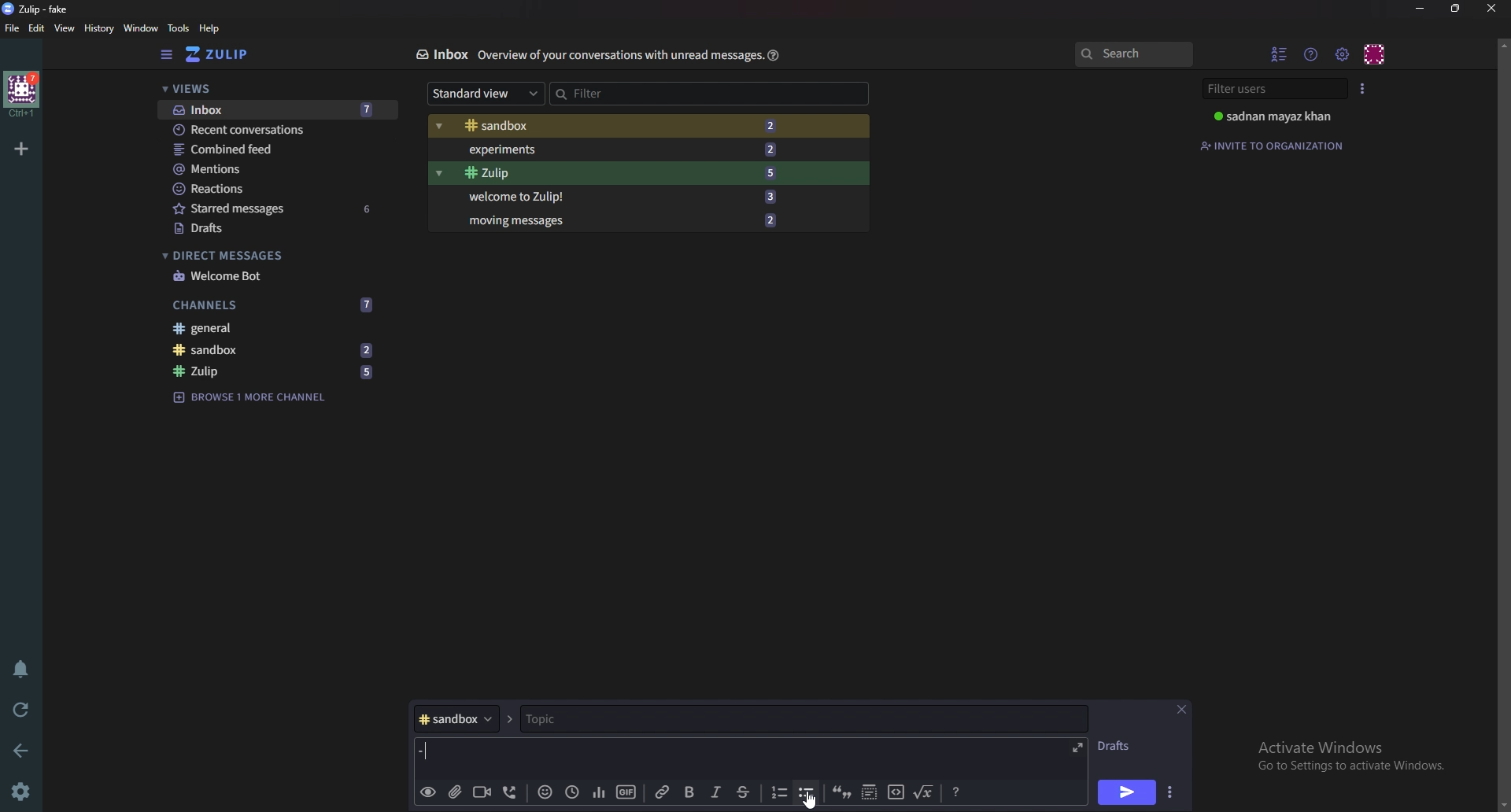 The height and width of the screenshot is (812, 1511). Describe the element at coordinates (276, 169) in the screenshot. I see `Mentions` at that location.